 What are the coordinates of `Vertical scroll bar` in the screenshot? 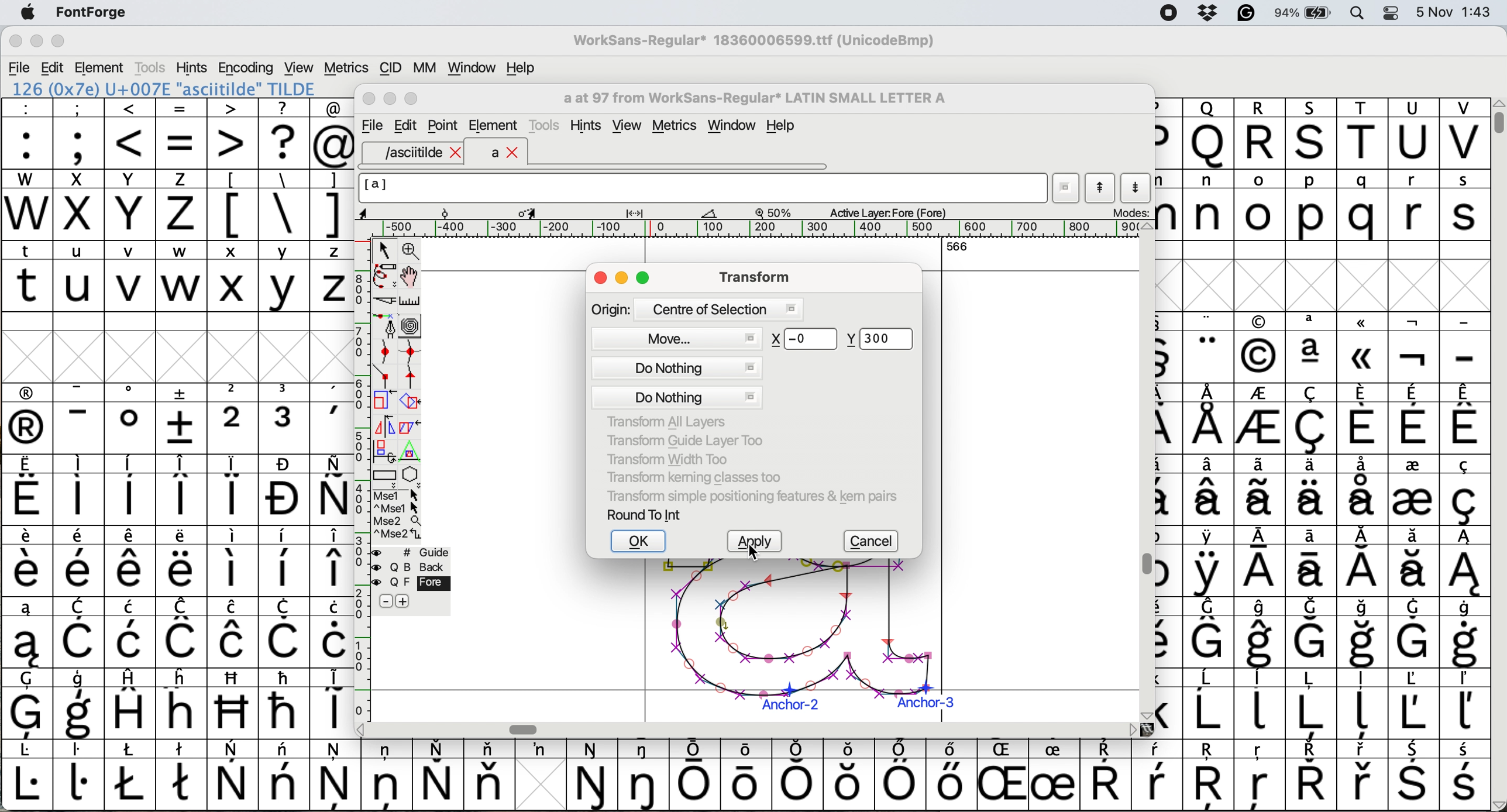 It's located at (1143, 566).